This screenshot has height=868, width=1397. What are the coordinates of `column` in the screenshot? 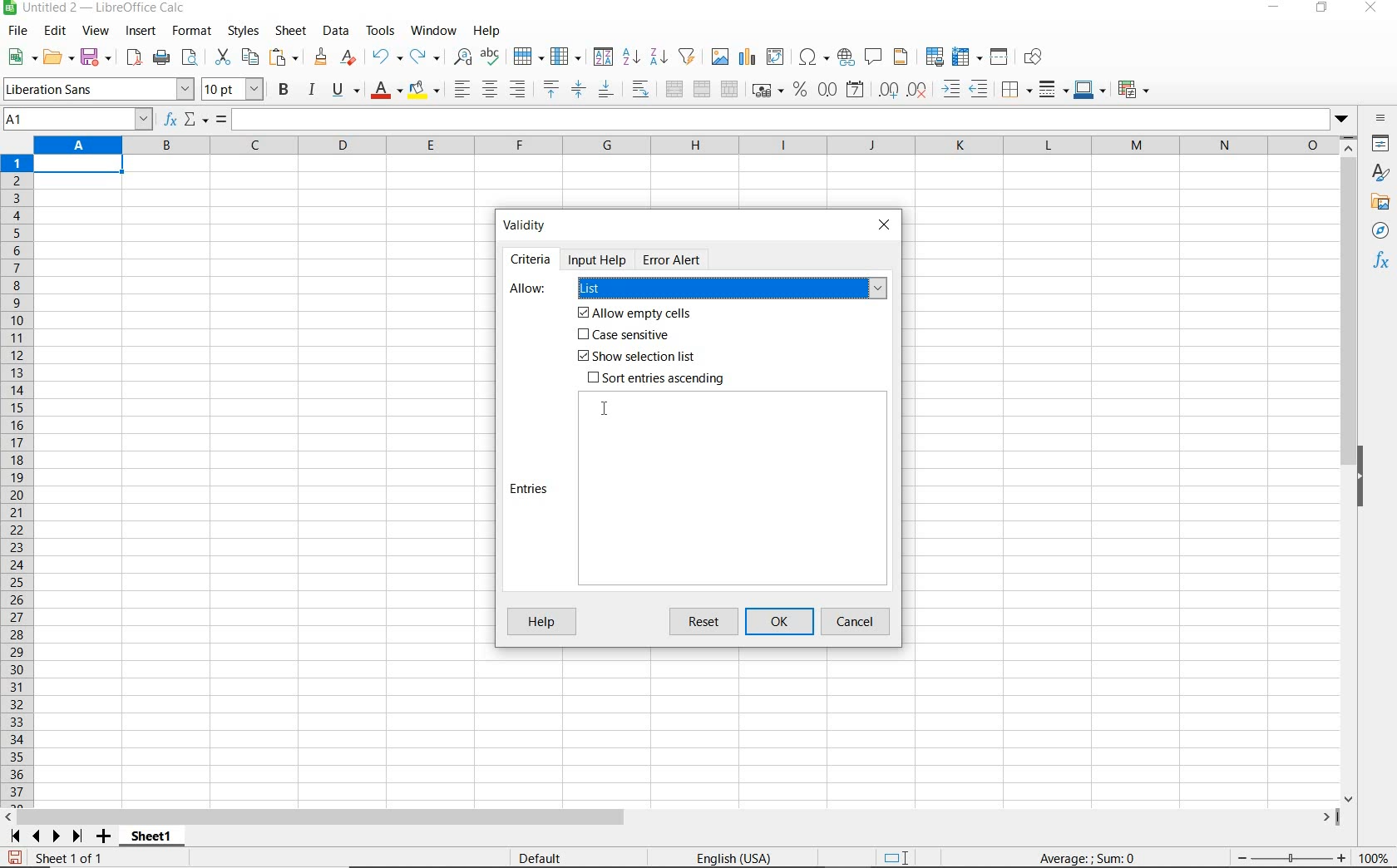 It's located at (567, 57).